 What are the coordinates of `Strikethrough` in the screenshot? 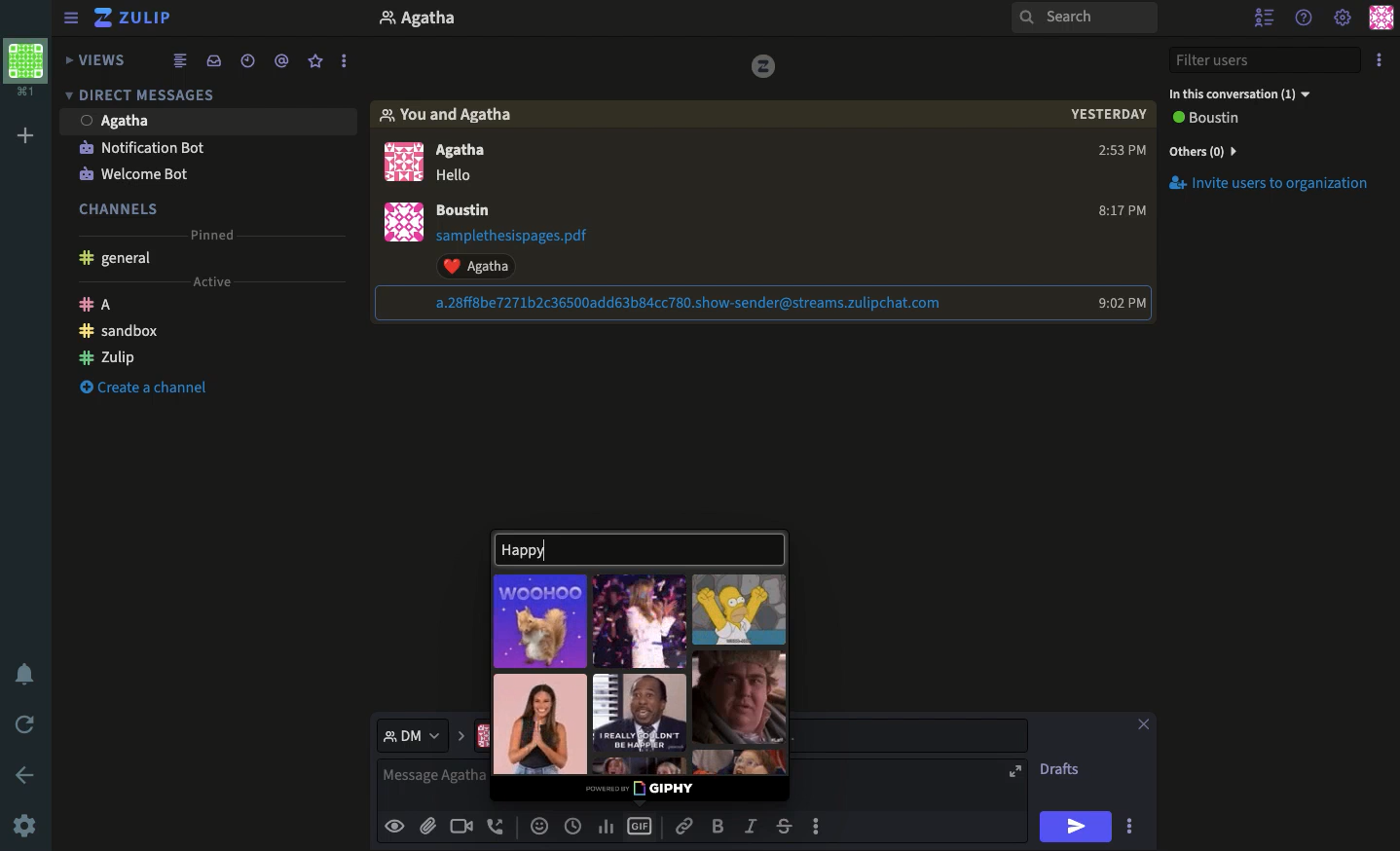 It's located at (785, 826).